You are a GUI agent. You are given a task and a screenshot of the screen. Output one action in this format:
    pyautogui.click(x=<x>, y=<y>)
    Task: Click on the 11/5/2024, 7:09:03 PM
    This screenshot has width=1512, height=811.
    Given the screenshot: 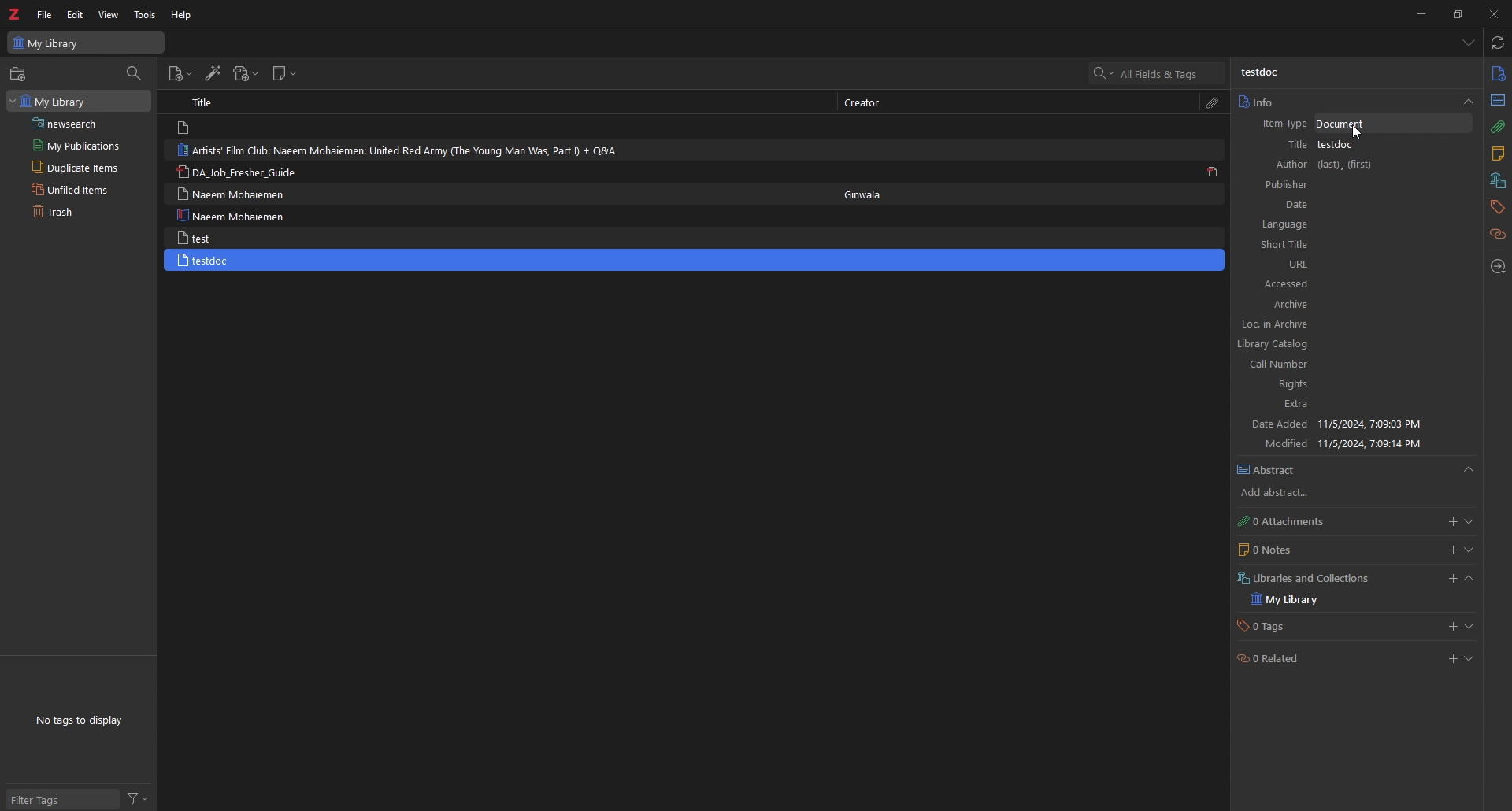 What is the action you would take?
    pyautogui.click(x=1382, y=424)
    